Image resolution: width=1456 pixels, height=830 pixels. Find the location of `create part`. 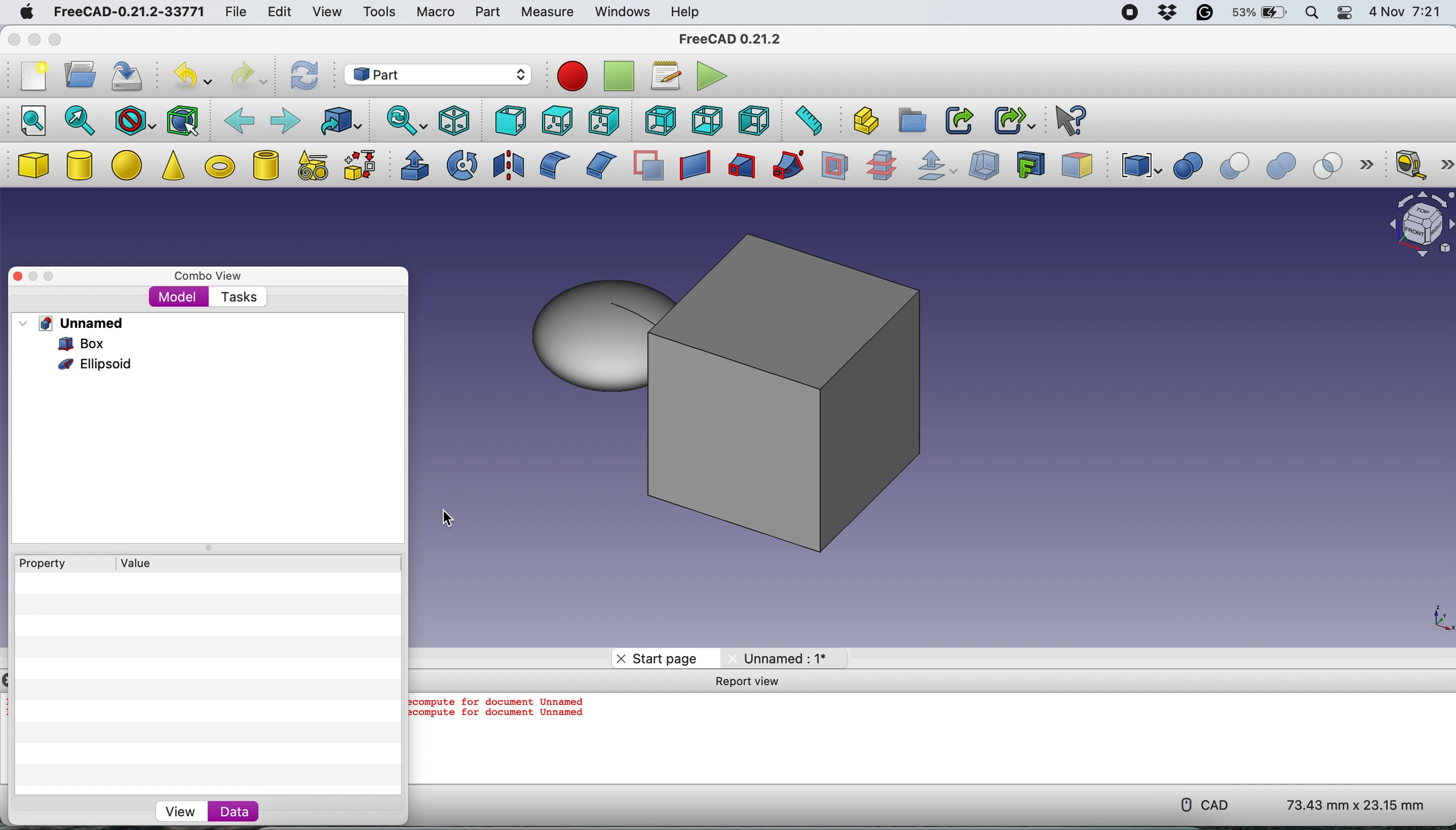

create part is located at coordinates (863, 121).